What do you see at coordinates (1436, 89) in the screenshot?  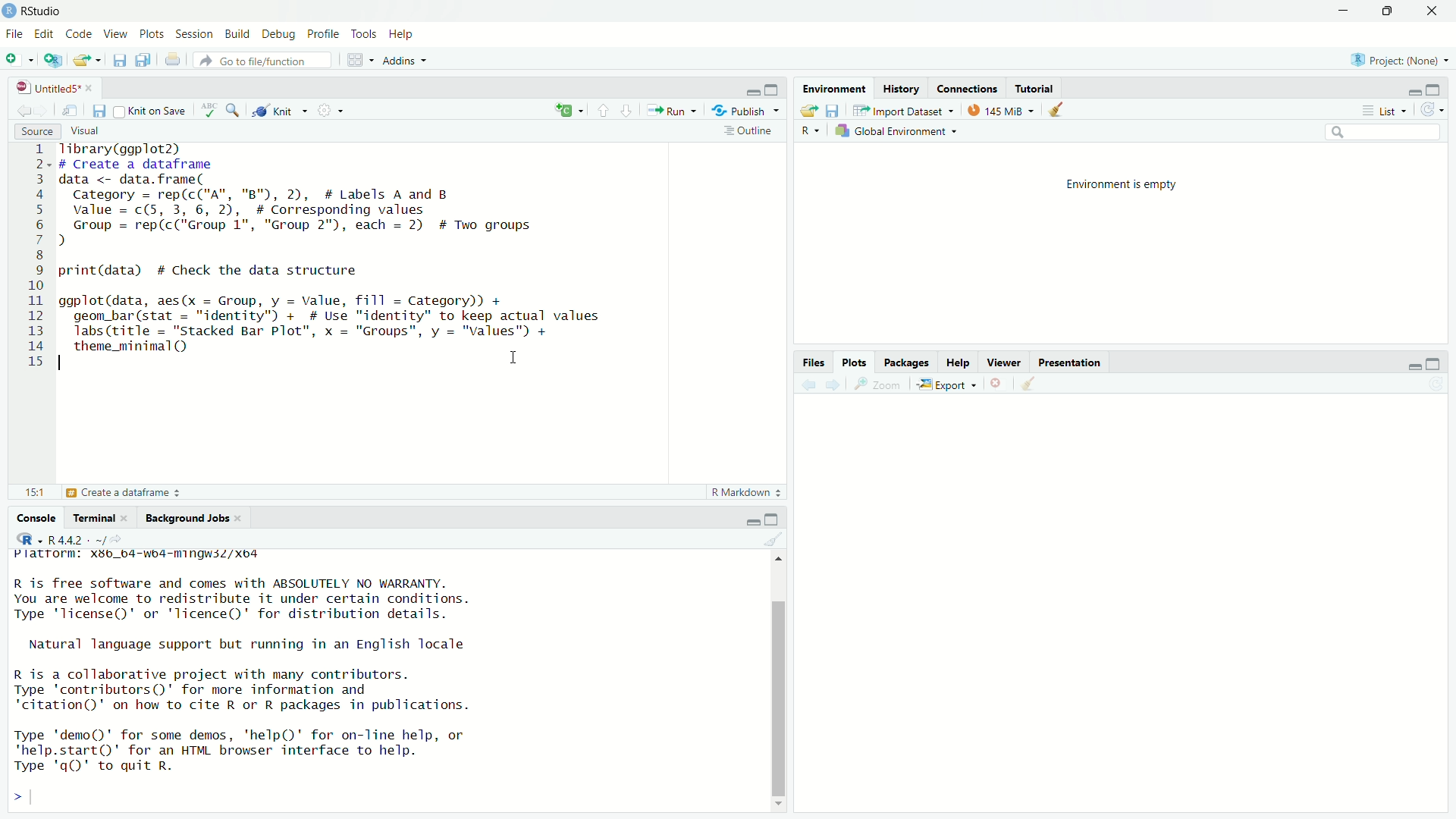 I see `Maximize` at bounding box center [1436, 89].